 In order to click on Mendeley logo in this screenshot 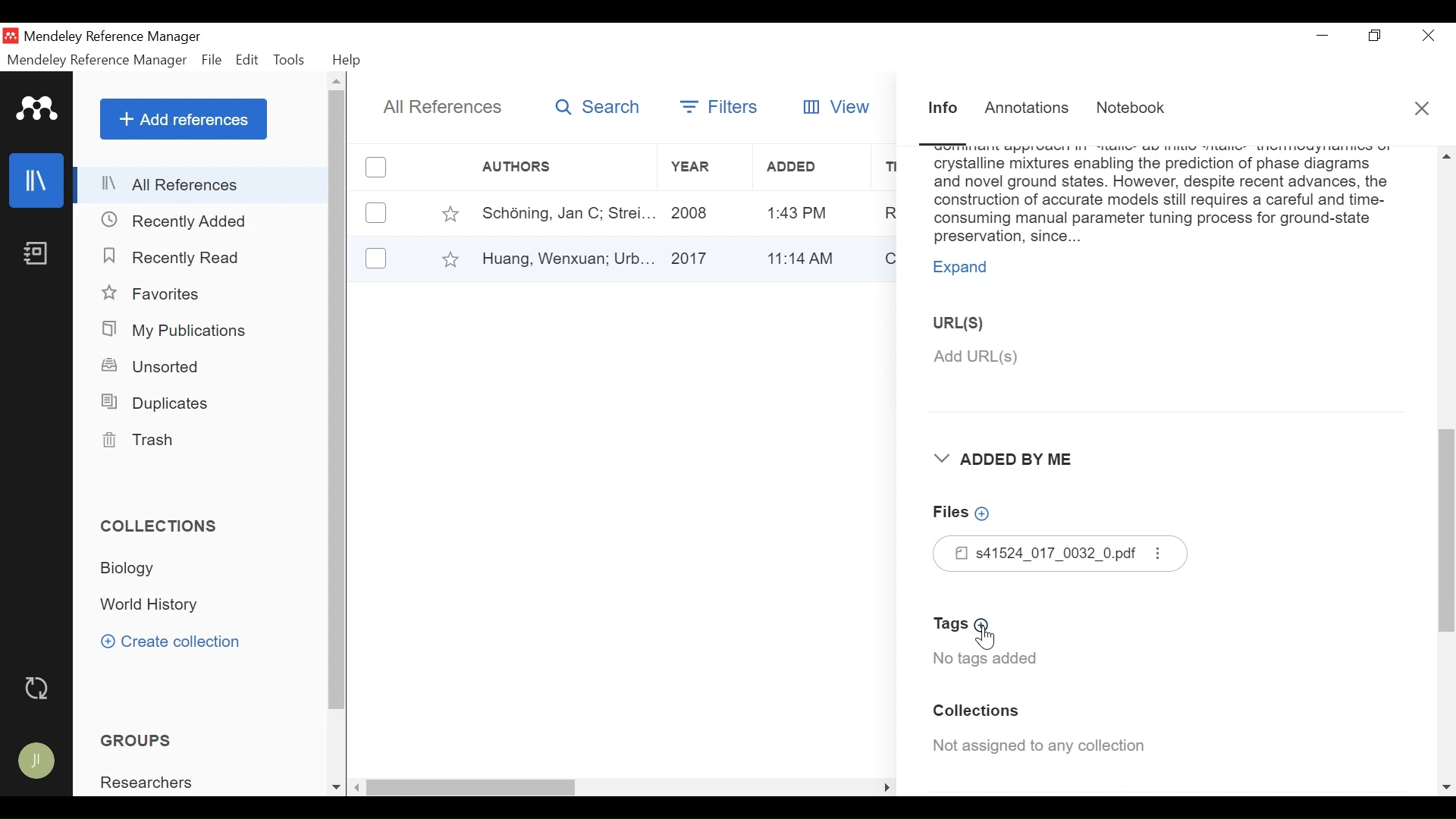, I will do `click(39, 109)`.